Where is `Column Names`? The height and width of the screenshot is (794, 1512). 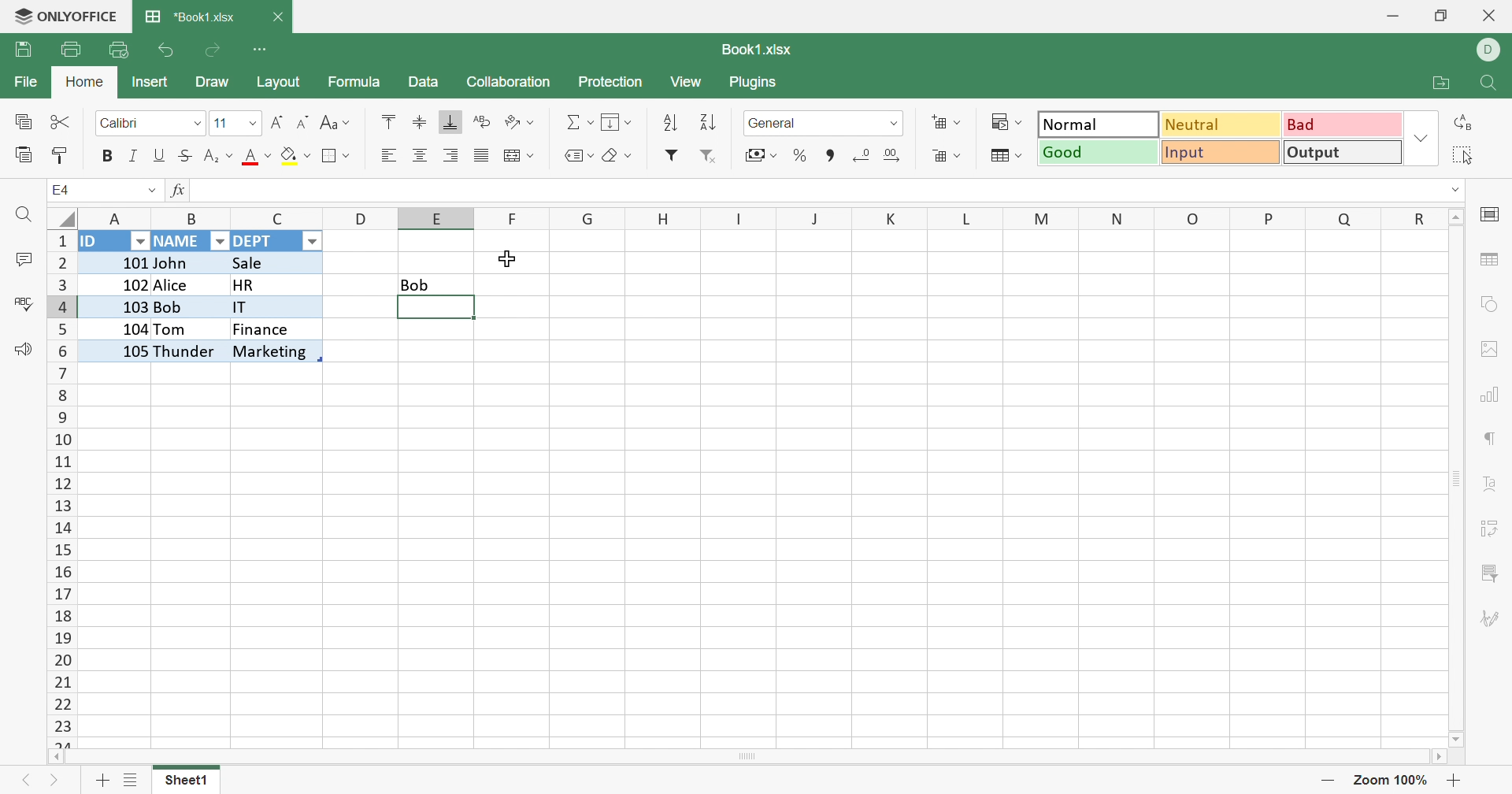 Column Names is located at coordinates (759, 217).